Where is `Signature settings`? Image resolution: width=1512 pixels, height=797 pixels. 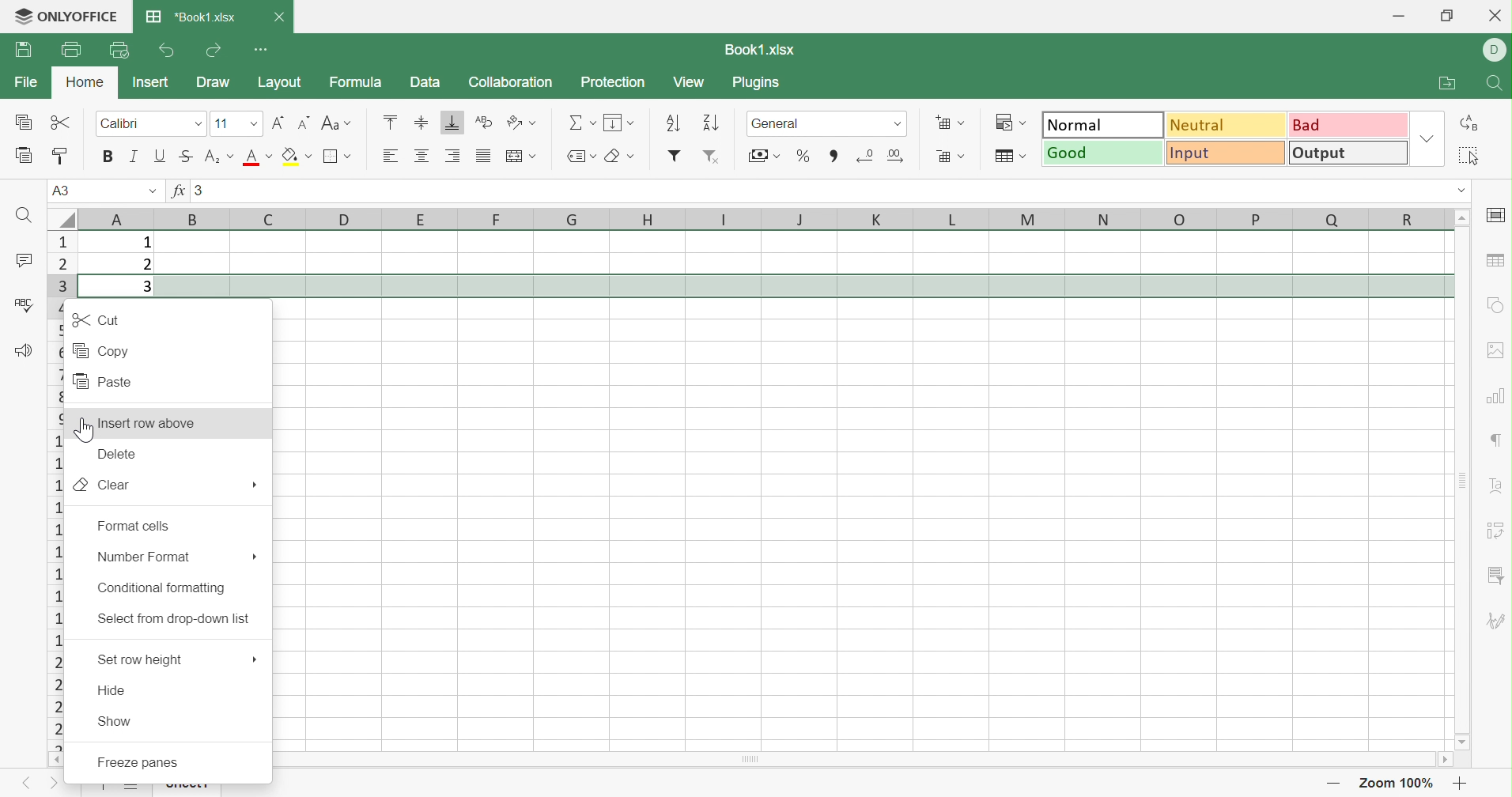 Signature settings is located at coordinates (1498, 621).